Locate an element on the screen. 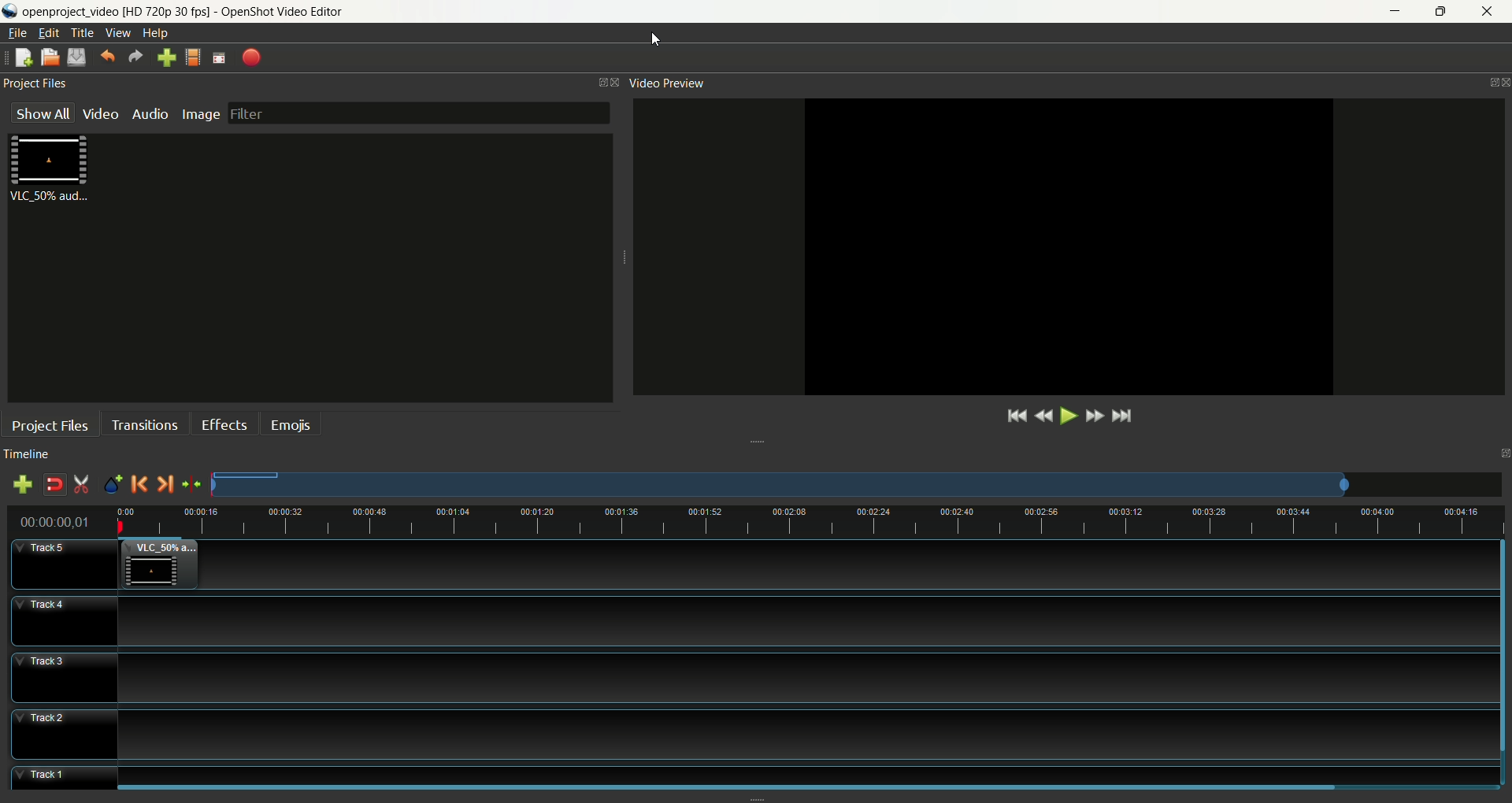 This screenshot has width=1512, height=803. help is located at coordinates (155, 34).